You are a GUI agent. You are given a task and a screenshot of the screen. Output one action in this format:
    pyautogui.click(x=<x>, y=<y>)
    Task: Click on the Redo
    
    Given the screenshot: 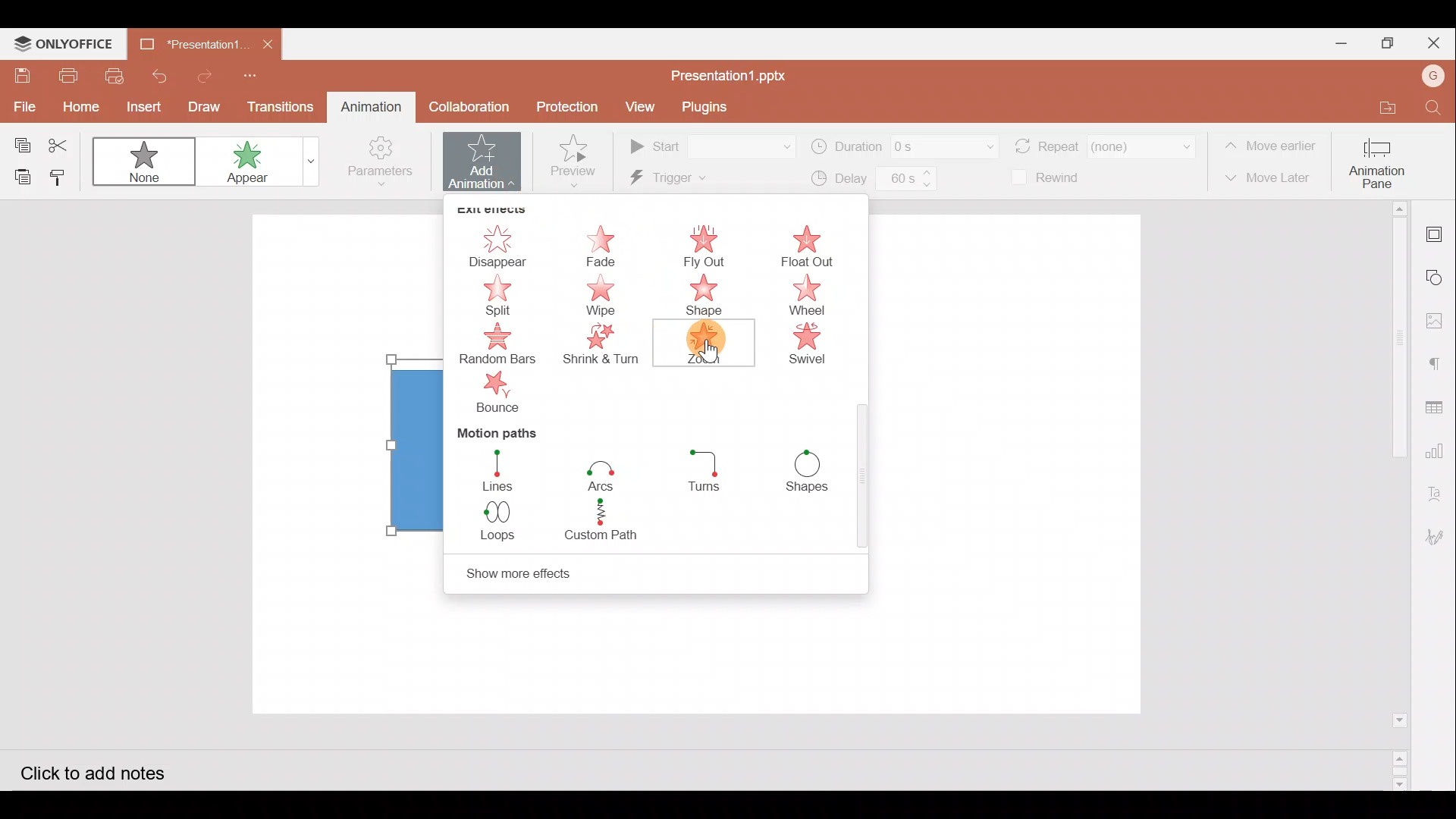 What is the action you would take?
    pyautogui.click(x=205, y=74)
    